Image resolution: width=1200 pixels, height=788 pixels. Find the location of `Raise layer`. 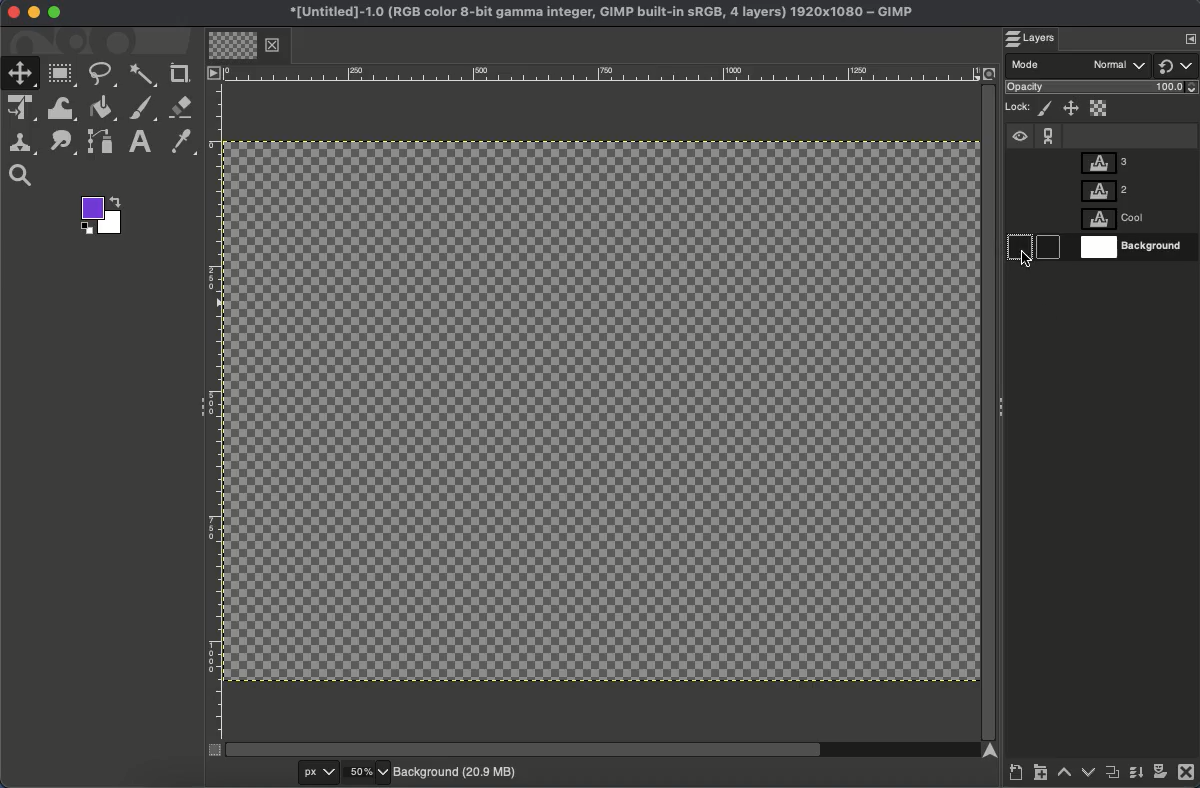

Raise layer is located at coordinates (1065, 777).